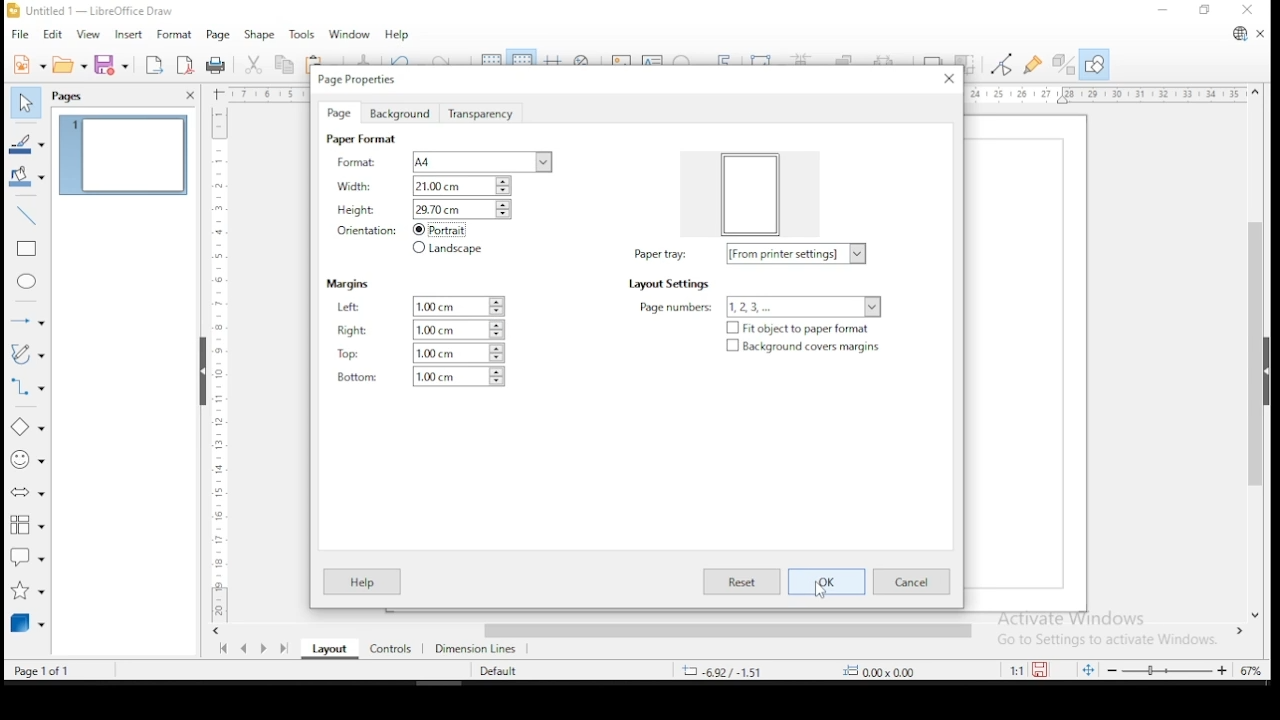 The image size is (1280, 720). Describe the element at coordinates (349, 36) in the screenshot. I see `window` at that location.